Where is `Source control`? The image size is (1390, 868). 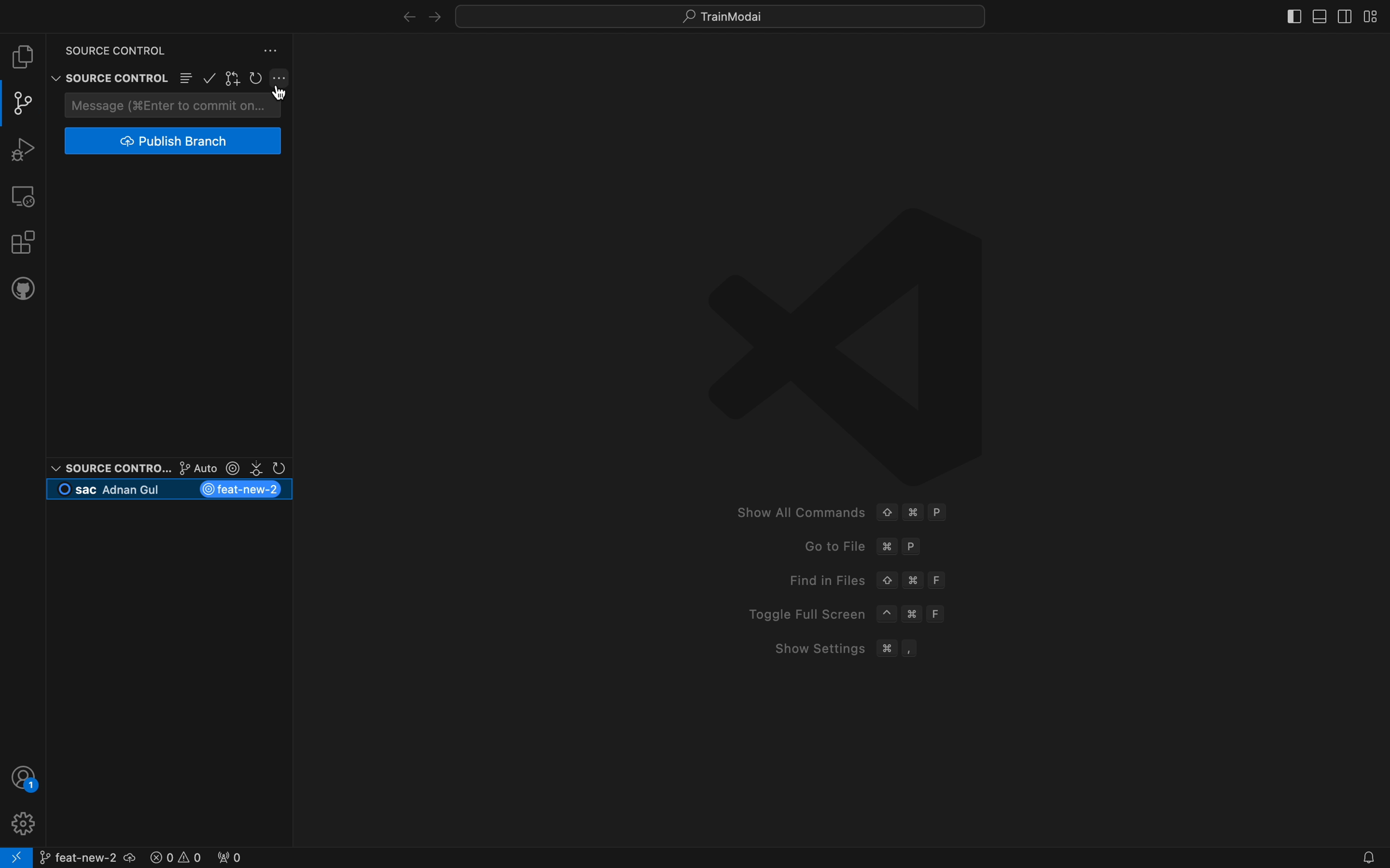 Source control is located at coordinates (108, 467).